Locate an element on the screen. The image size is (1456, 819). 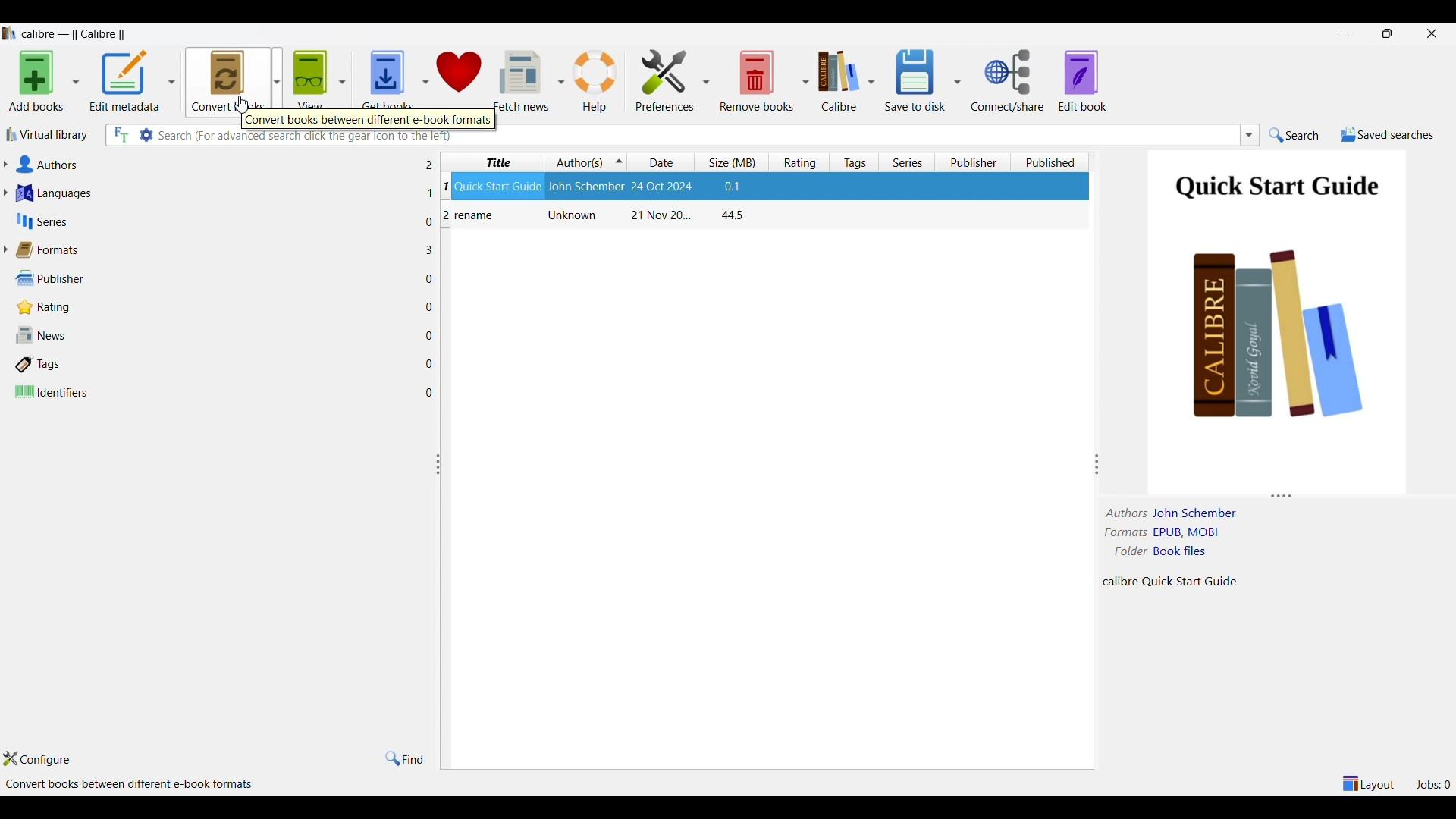
Tag column is located at coordinates (852, 162).